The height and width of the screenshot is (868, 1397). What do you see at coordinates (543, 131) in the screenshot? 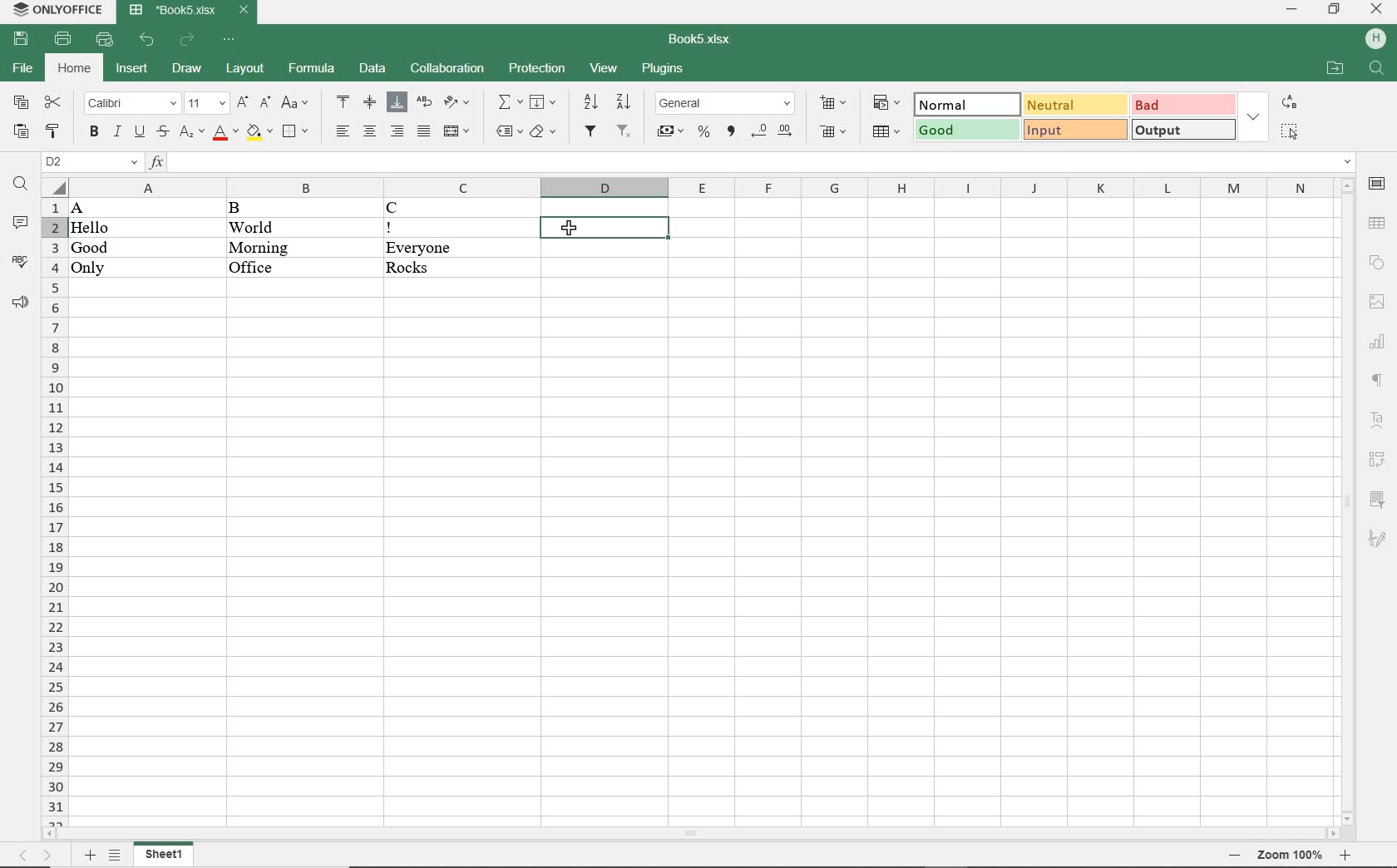
I see `CLEAR` at bounding box center [543, 131].